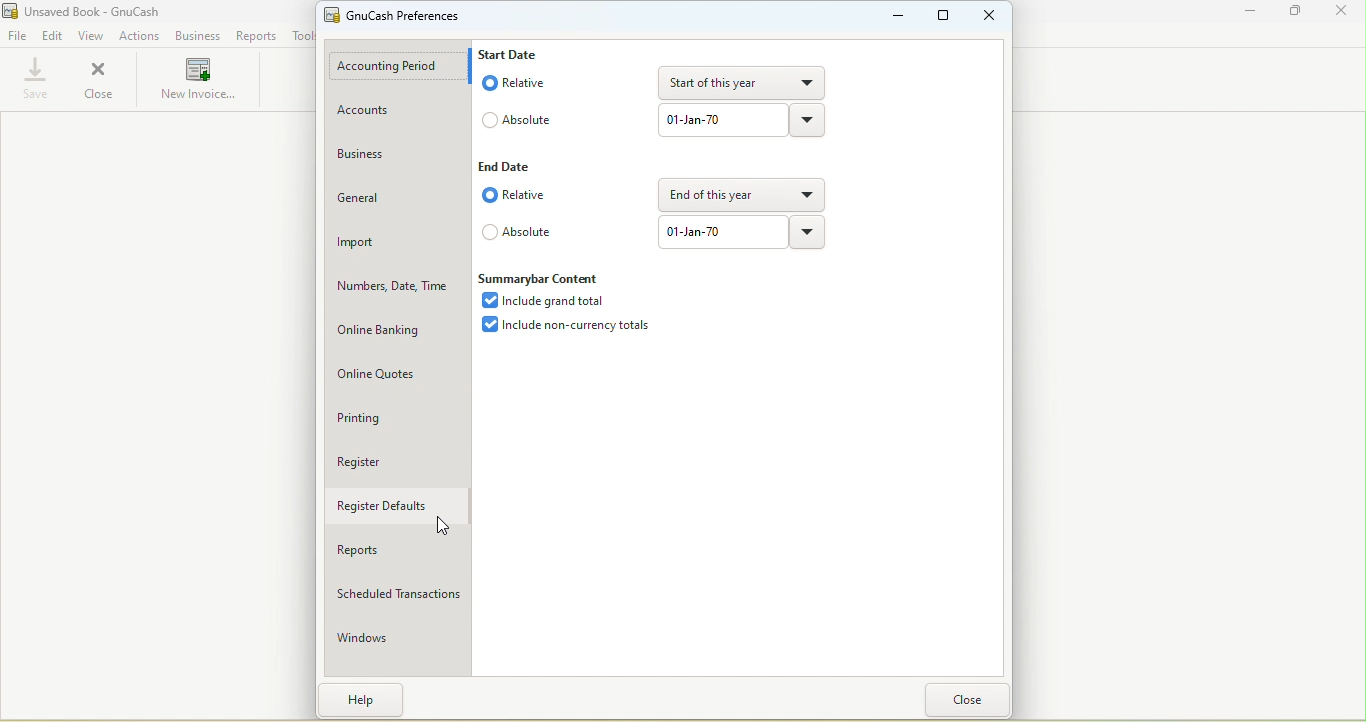 This screenshot has width=1366, height=722. Describe the element at coordinates (399, 111) in the screenshot. I see `Accounts` at that location.